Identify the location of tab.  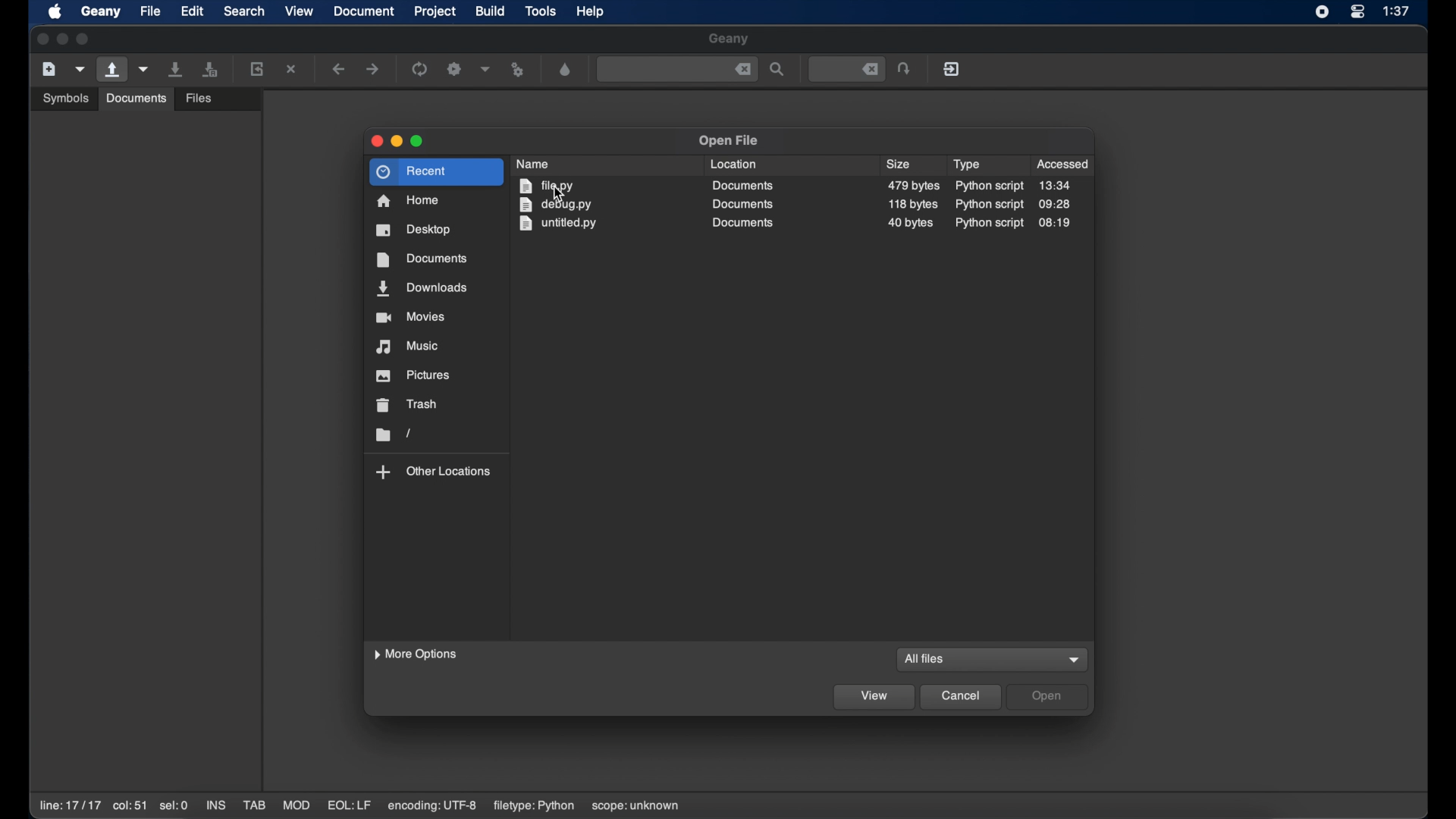
(255, 805).